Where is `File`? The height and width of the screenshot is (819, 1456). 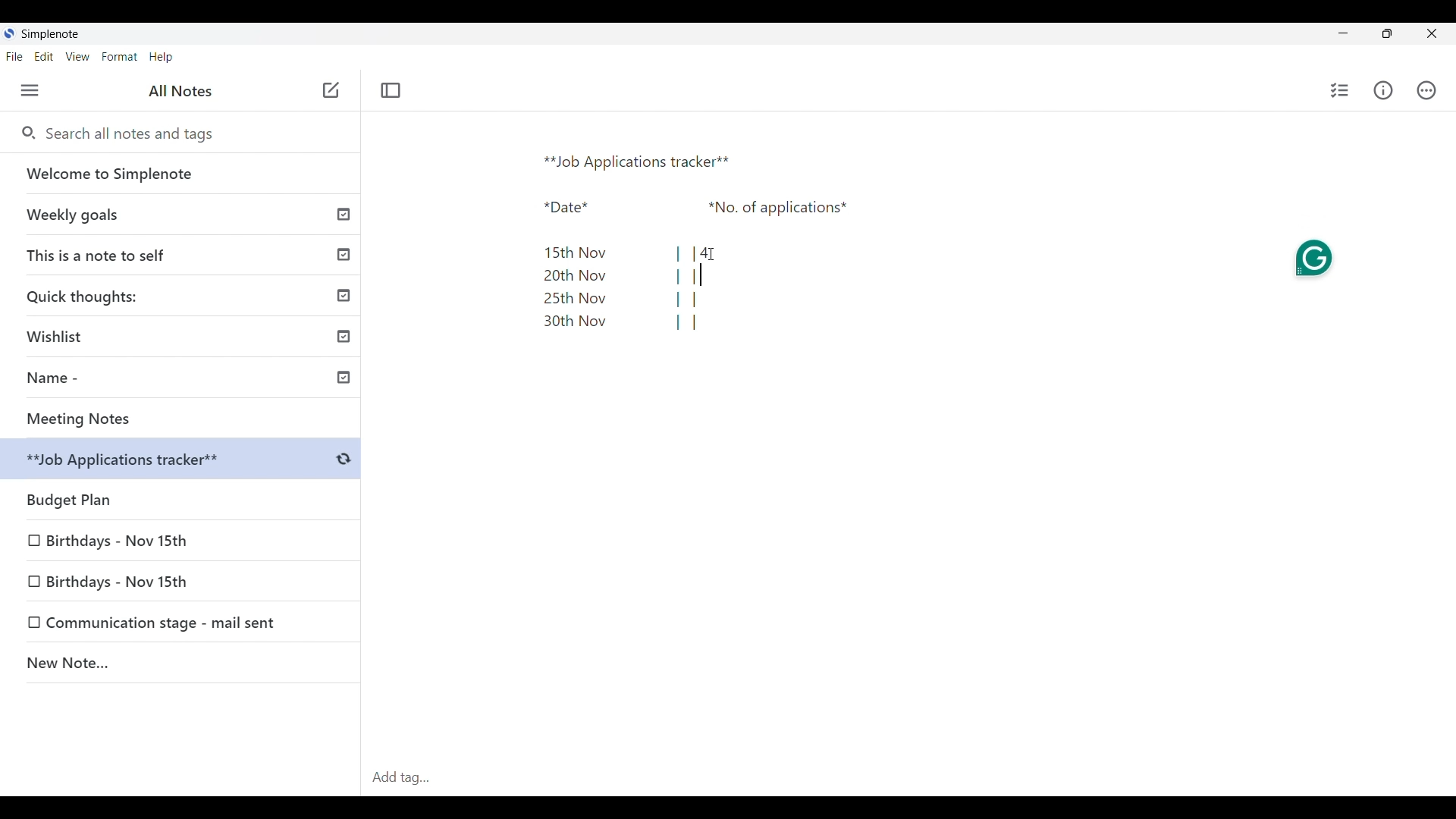
File is located at coordinates (14, 56).